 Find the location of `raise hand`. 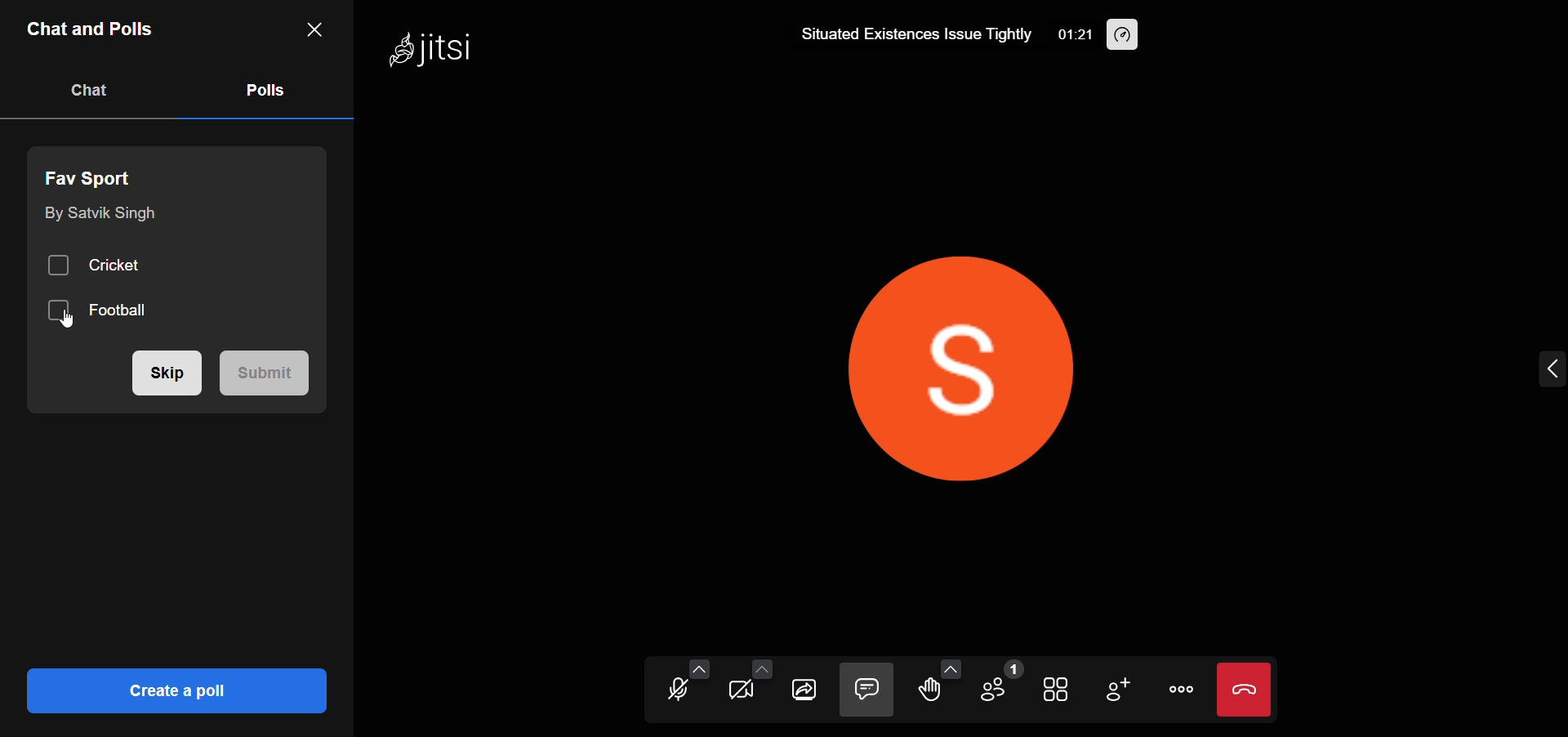

raise hand is located at coordinates (931, 692).